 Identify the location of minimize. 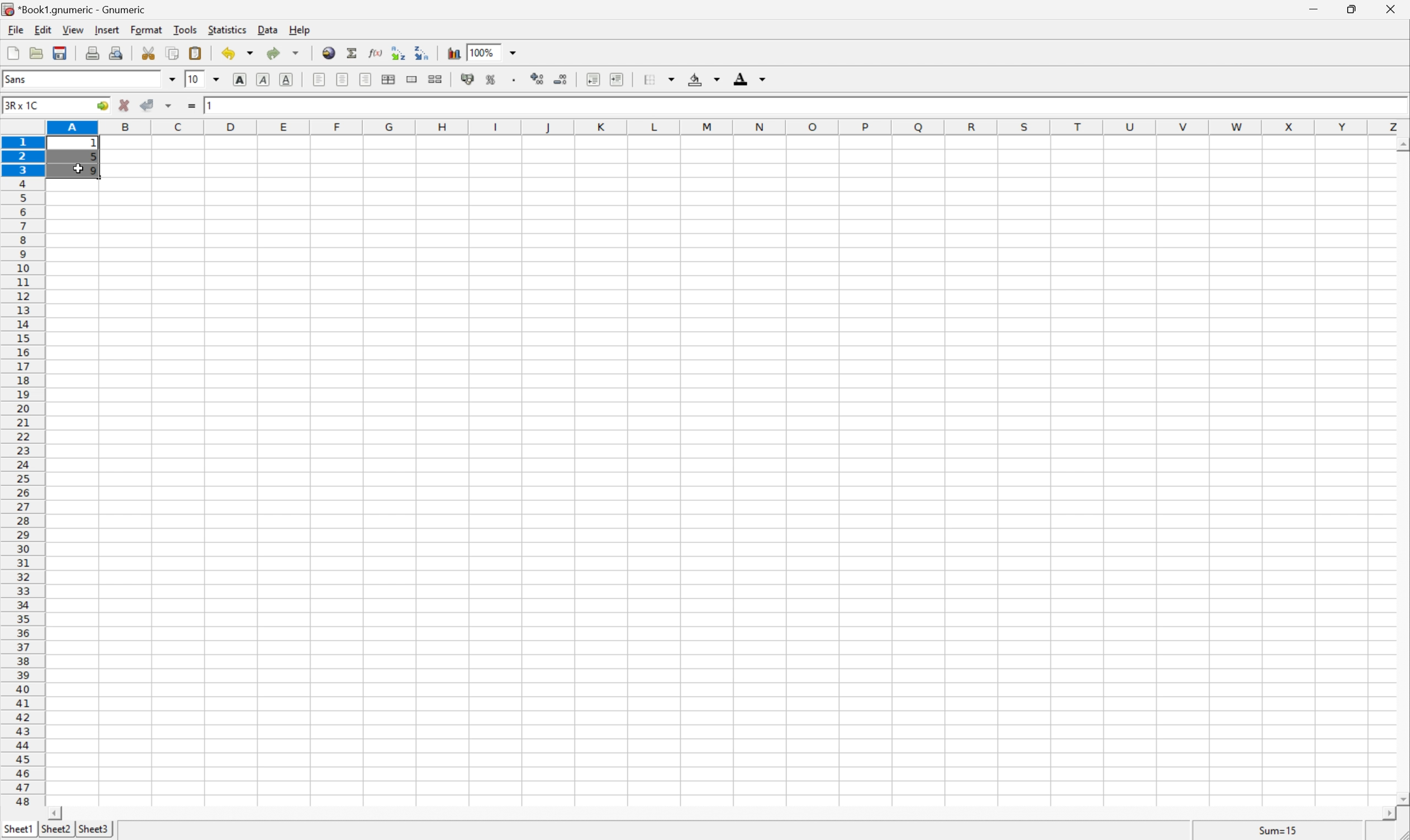
(1316, 7).